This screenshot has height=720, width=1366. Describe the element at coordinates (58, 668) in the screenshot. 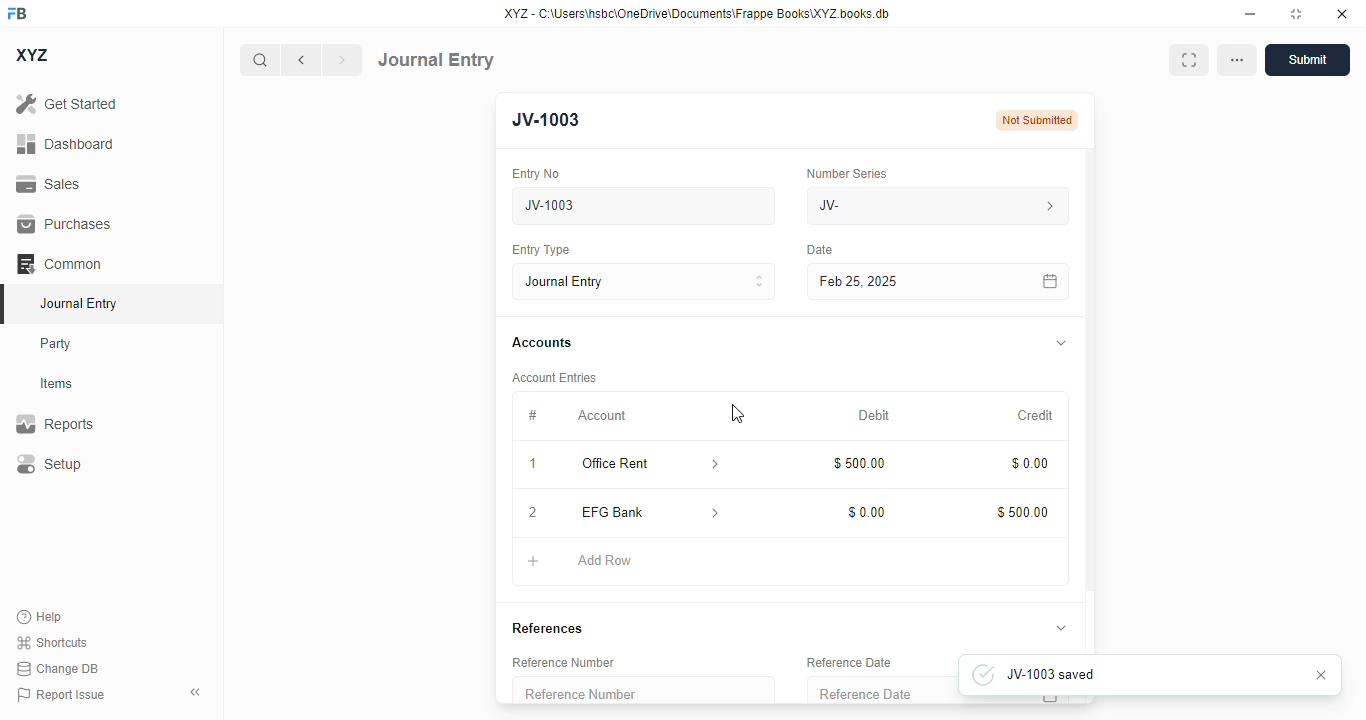

I see `change DB` at that location.